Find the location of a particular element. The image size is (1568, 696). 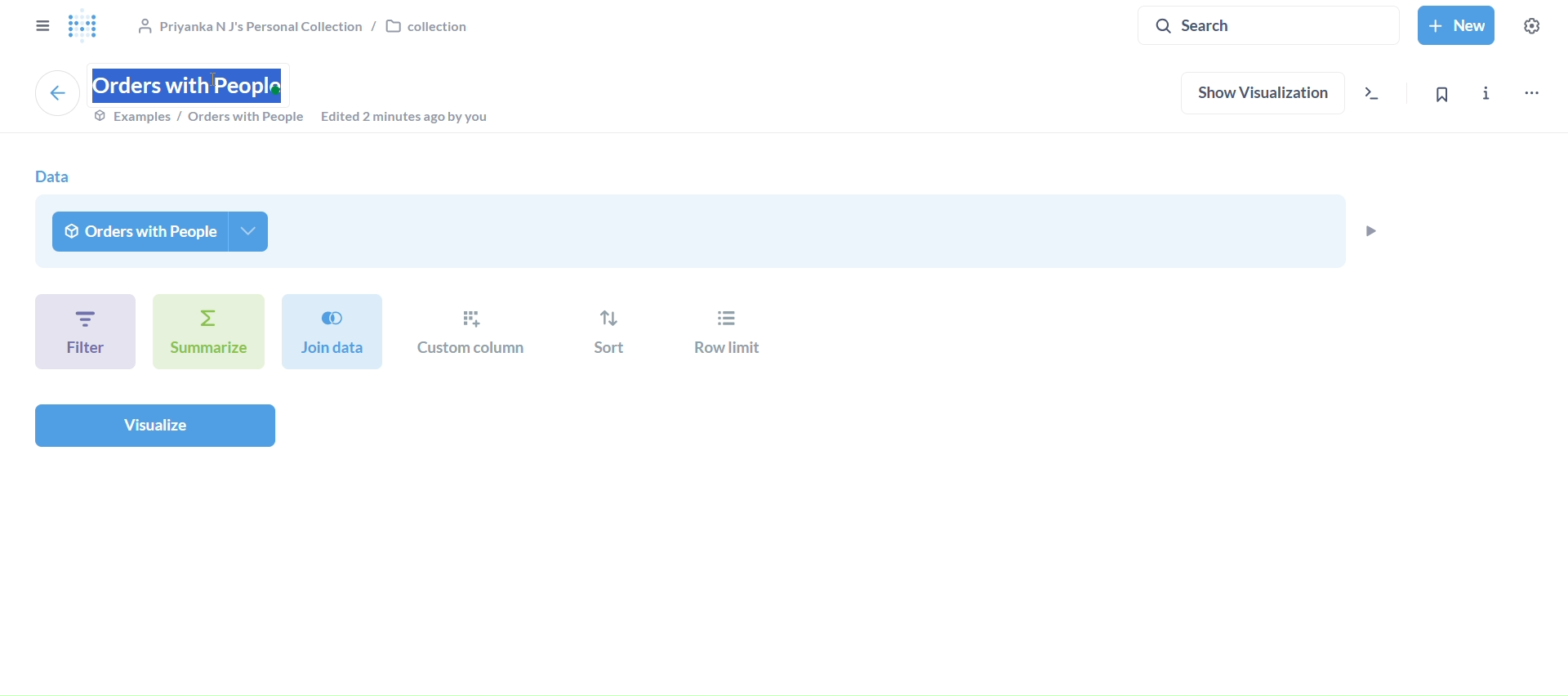

show visualization is located at coordinates (1264, 95).